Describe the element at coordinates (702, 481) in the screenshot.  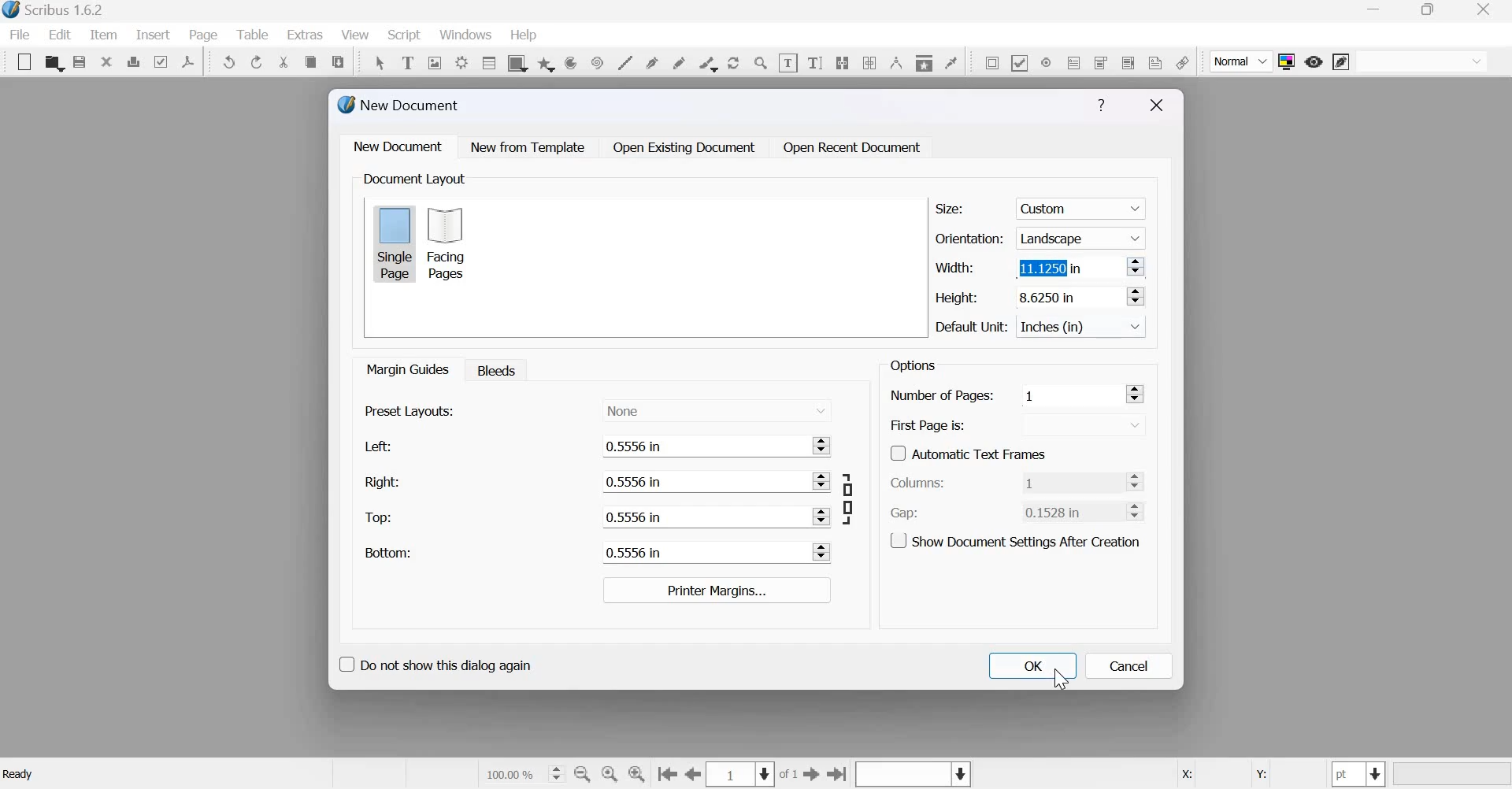
I see `0.5556 in` at that location.